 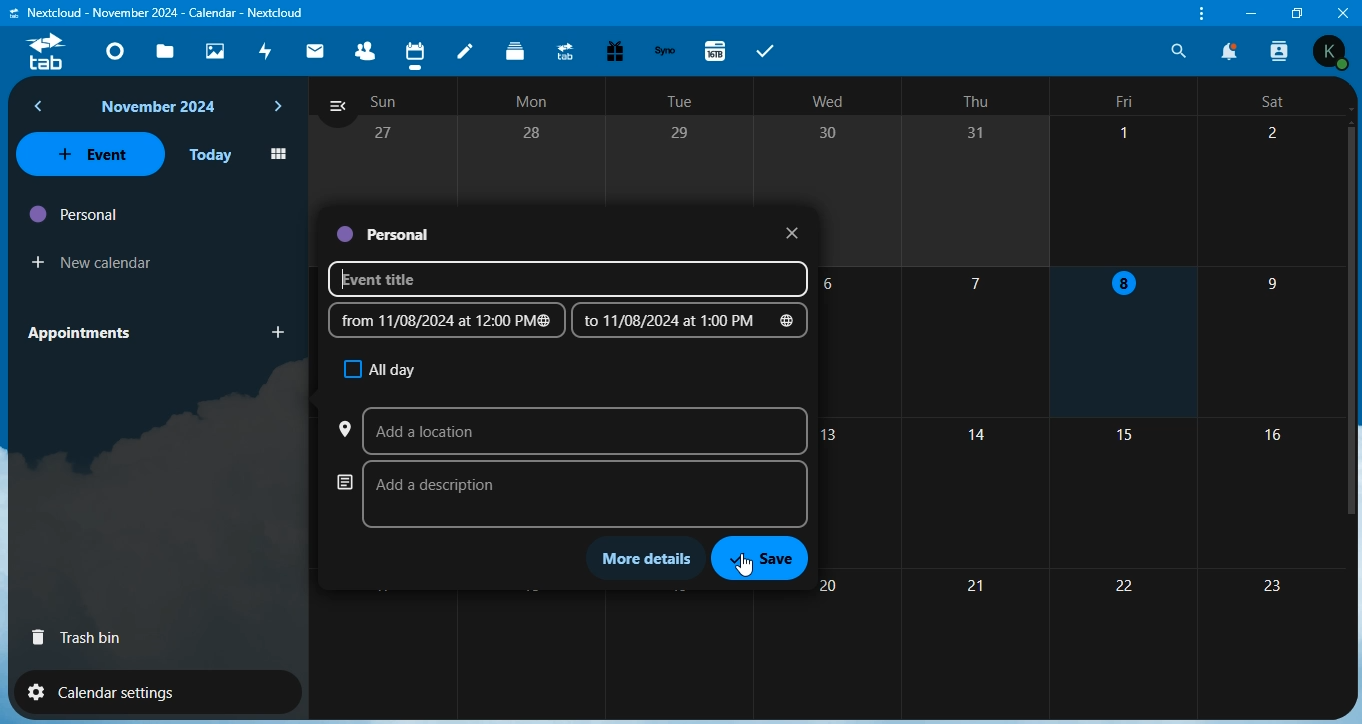 I want to click on contacts, so click(x=364, y=48).